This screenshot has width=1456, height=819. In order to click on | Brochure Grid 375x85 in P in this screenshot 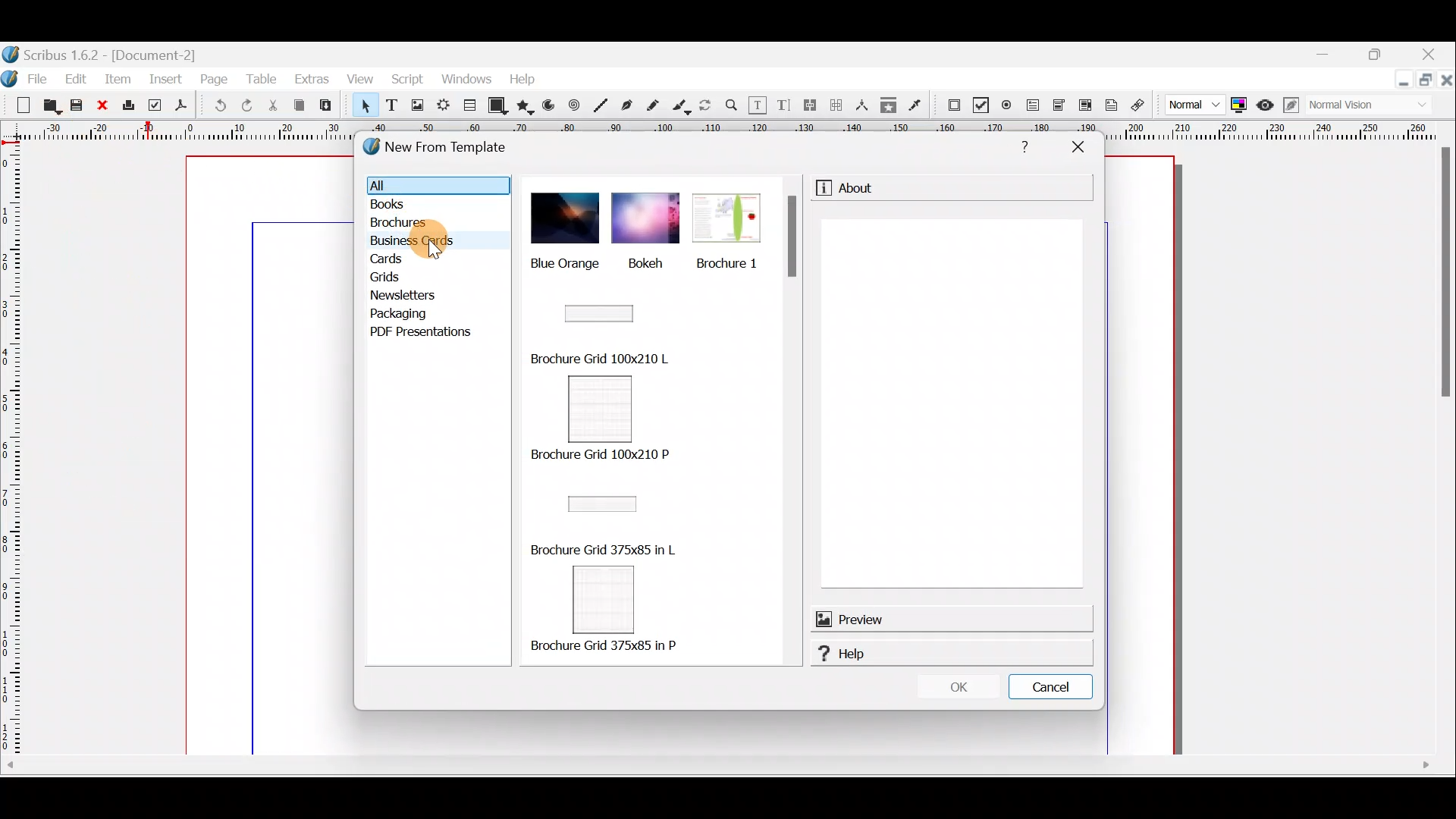, I will do `click(605, 649)`.